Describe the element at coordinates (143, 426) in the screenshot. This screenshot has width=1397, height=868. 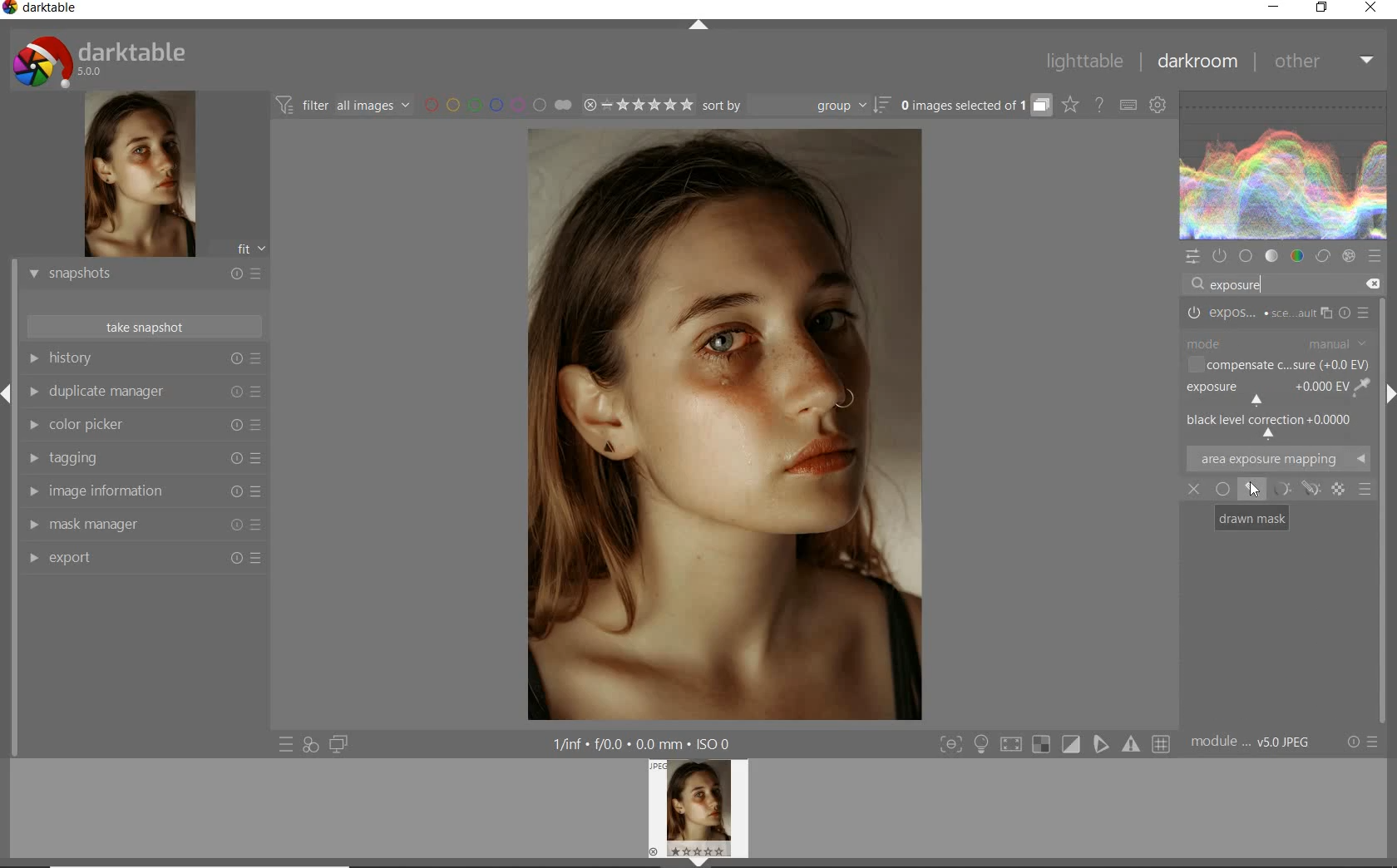
I see `color picker` at that location.